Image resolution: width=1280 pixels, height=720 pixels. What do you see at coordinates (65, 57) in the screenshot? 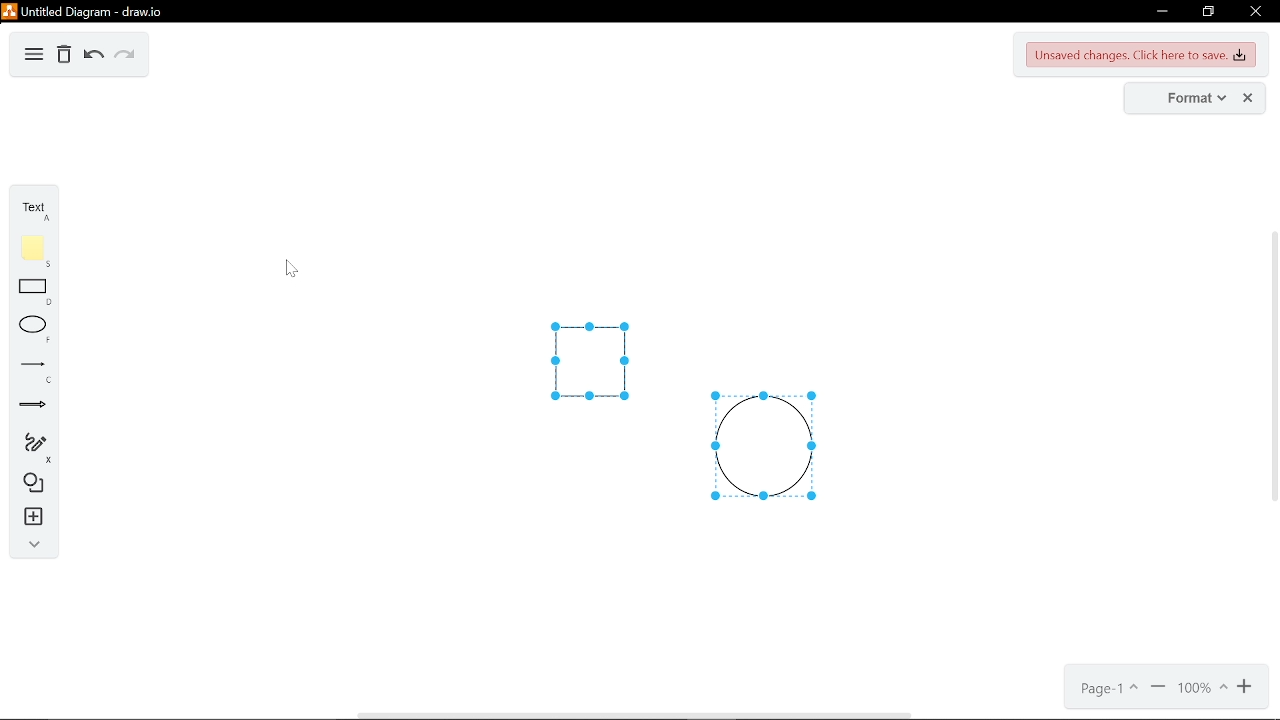
I see `delete` at bounding box center [65, 57].